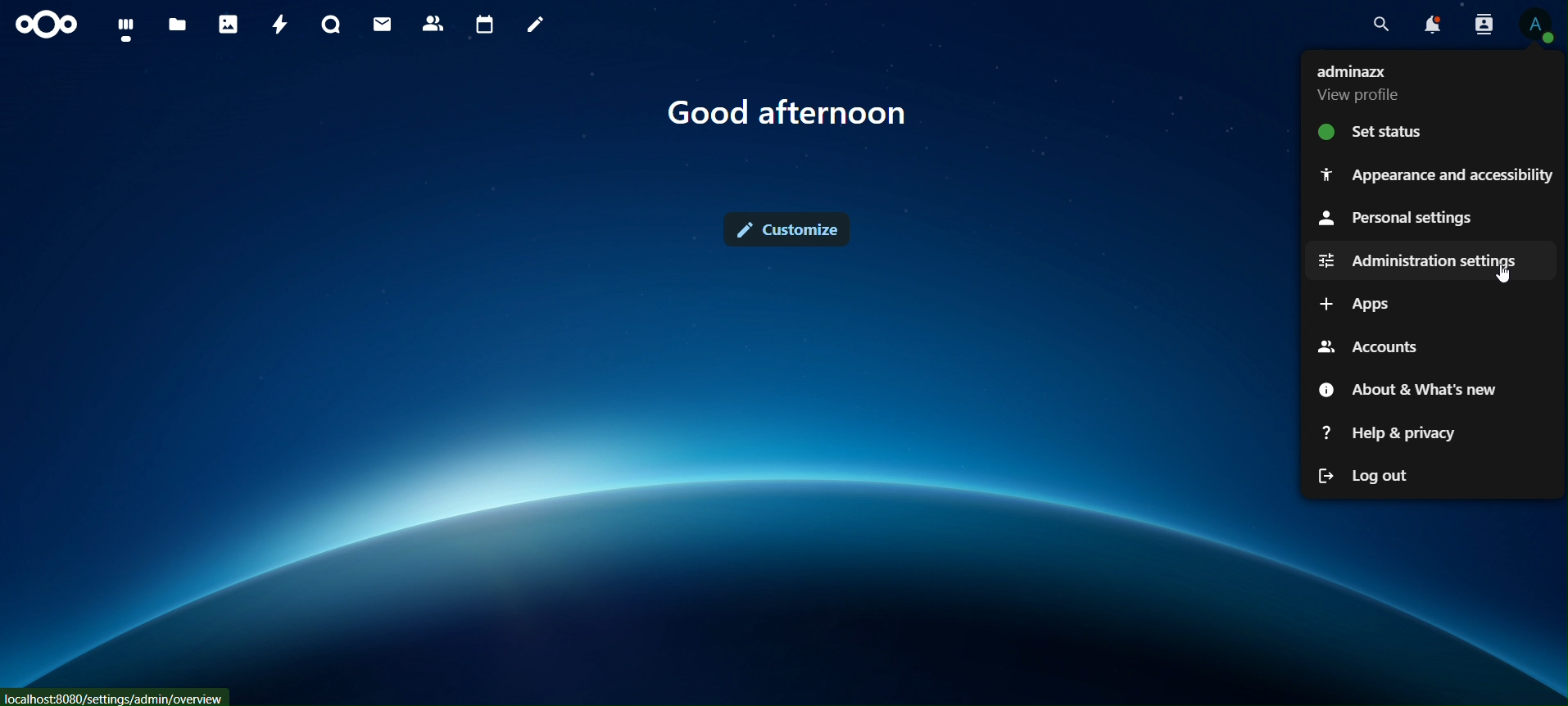 Image resolution: width=1568 pixels, height=706 pixels. Describe the element at coordinates (537, 27) in the screenshot. I see `notes` at that location.